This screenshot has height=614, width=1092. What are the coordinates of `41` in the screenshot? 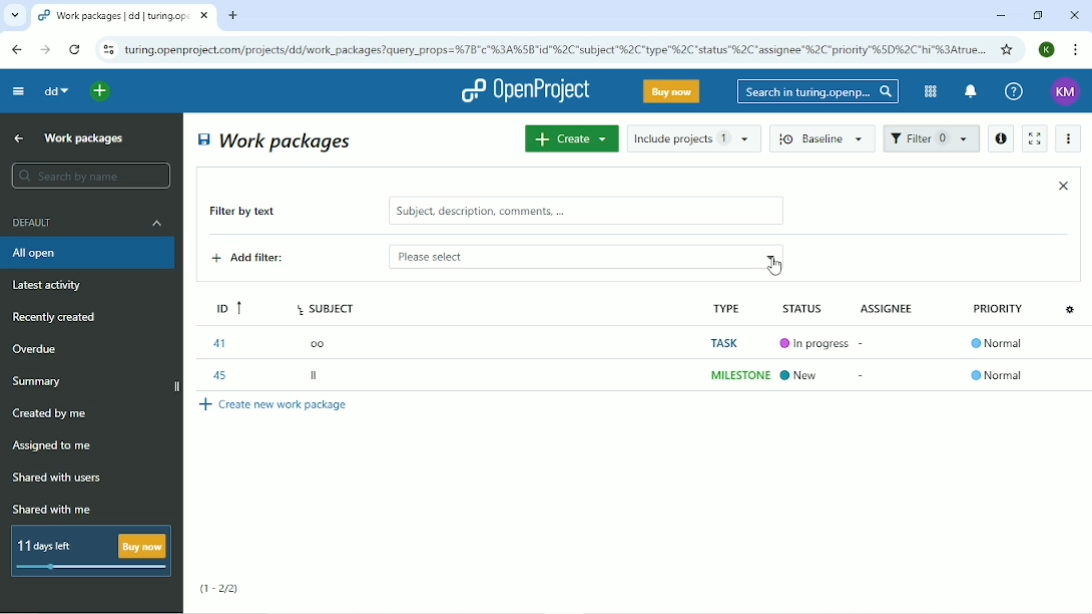 It's located at (218, 343).